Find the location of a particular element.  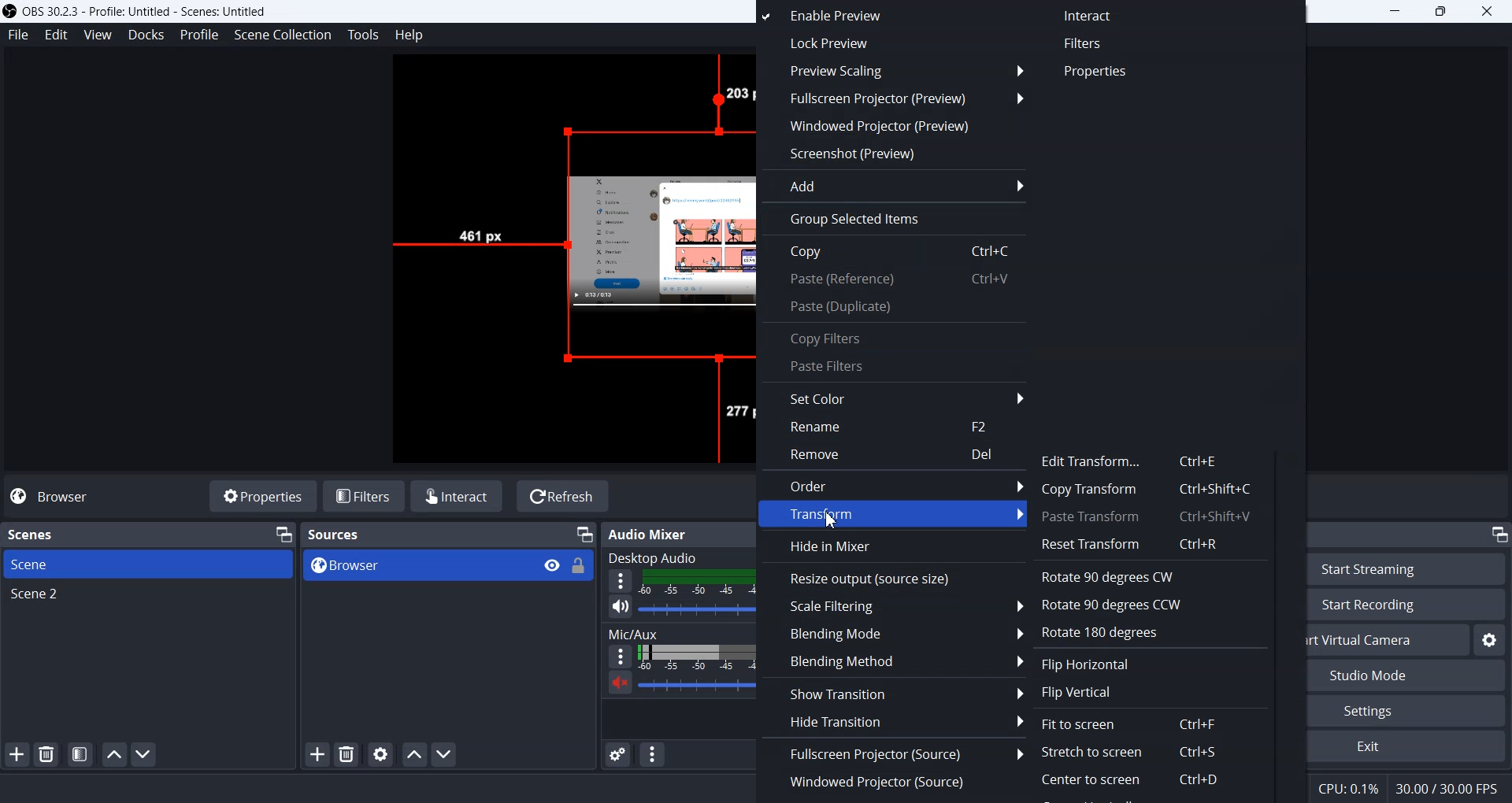

Flip Horizontal is located at coordinates (1091, 665).